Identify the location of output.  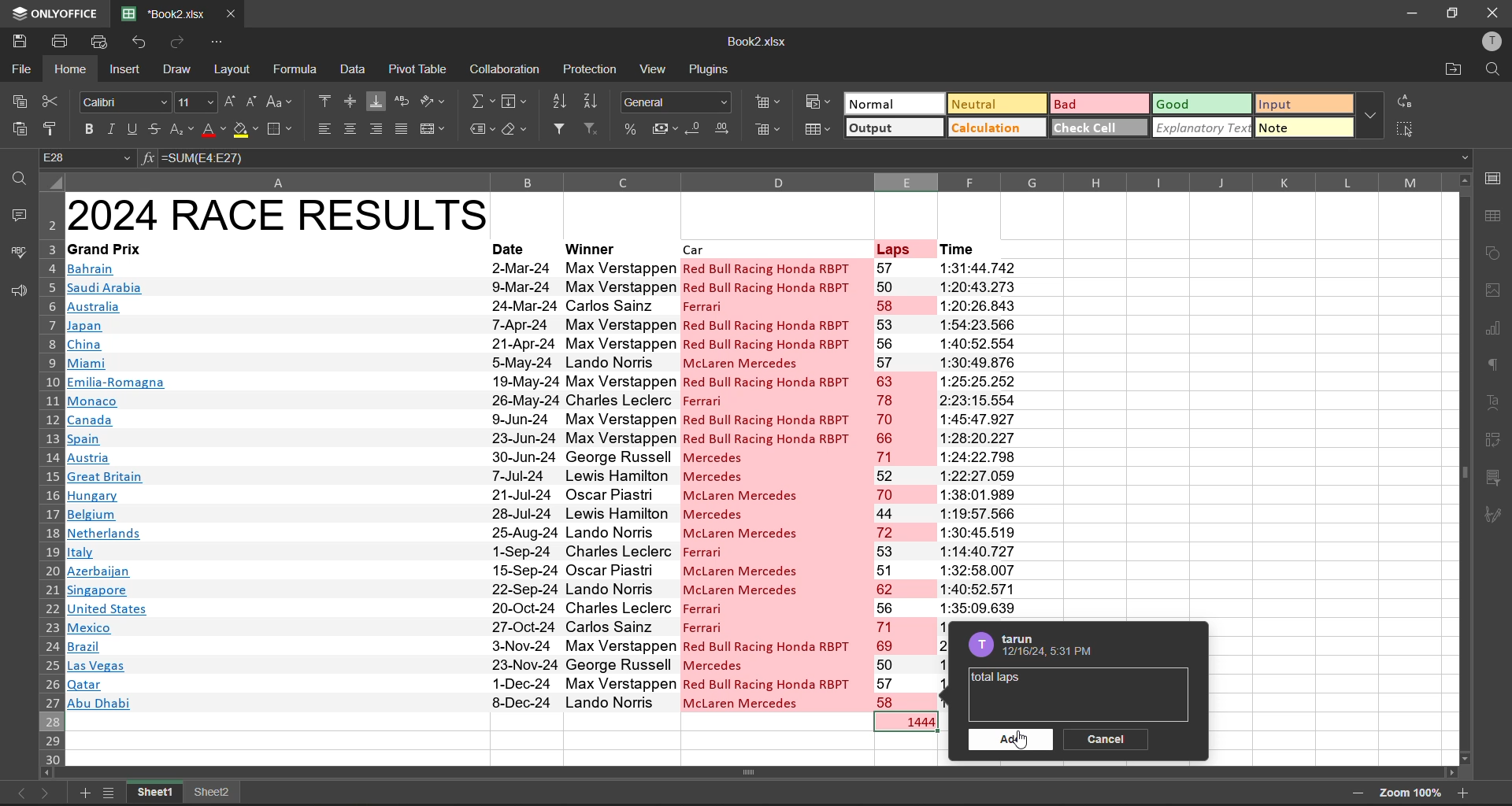
(892, 129).